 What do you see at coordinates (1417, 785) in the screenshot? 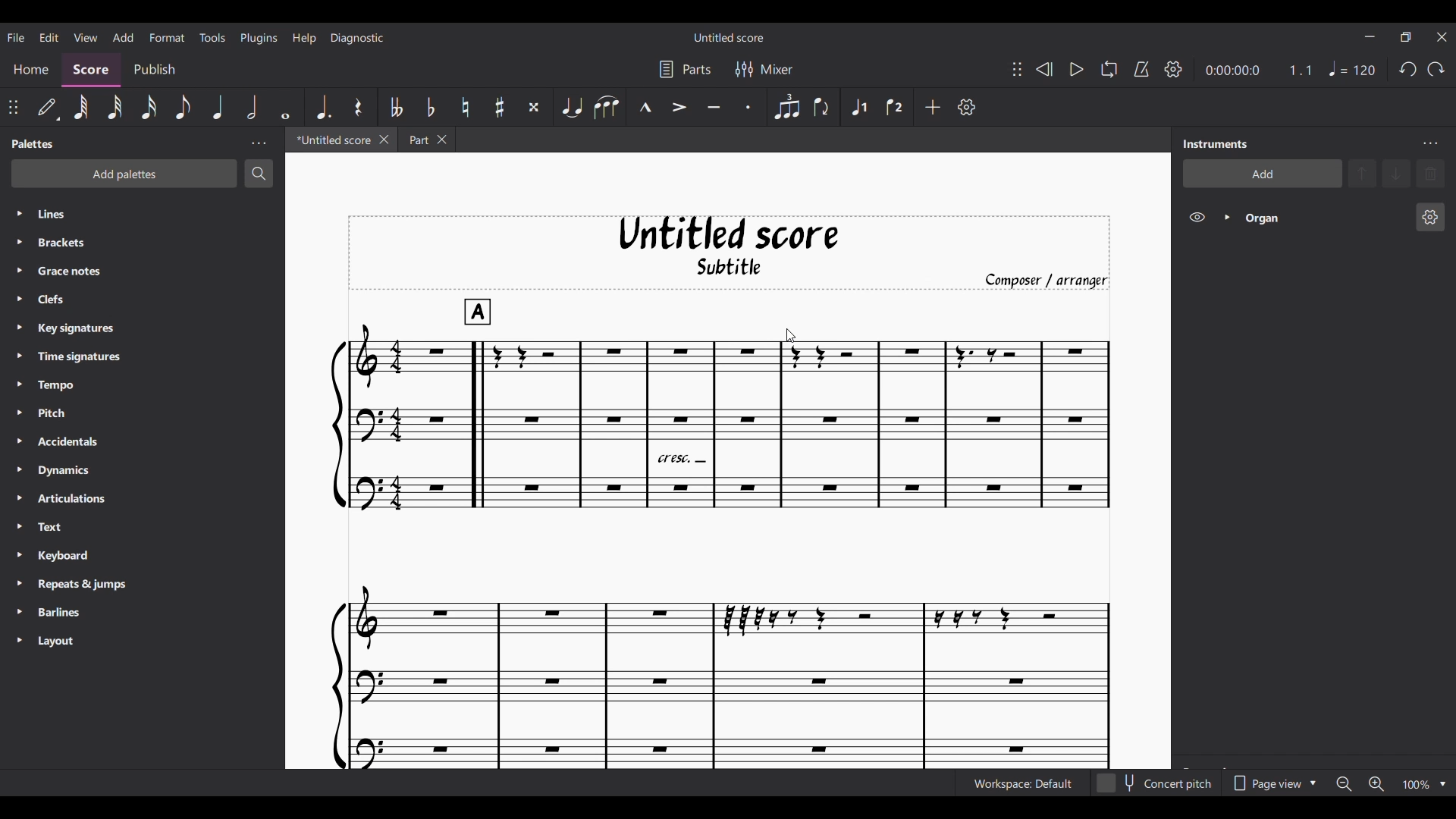
I see `Current zoom factor` at bounding box center [1417, 785].